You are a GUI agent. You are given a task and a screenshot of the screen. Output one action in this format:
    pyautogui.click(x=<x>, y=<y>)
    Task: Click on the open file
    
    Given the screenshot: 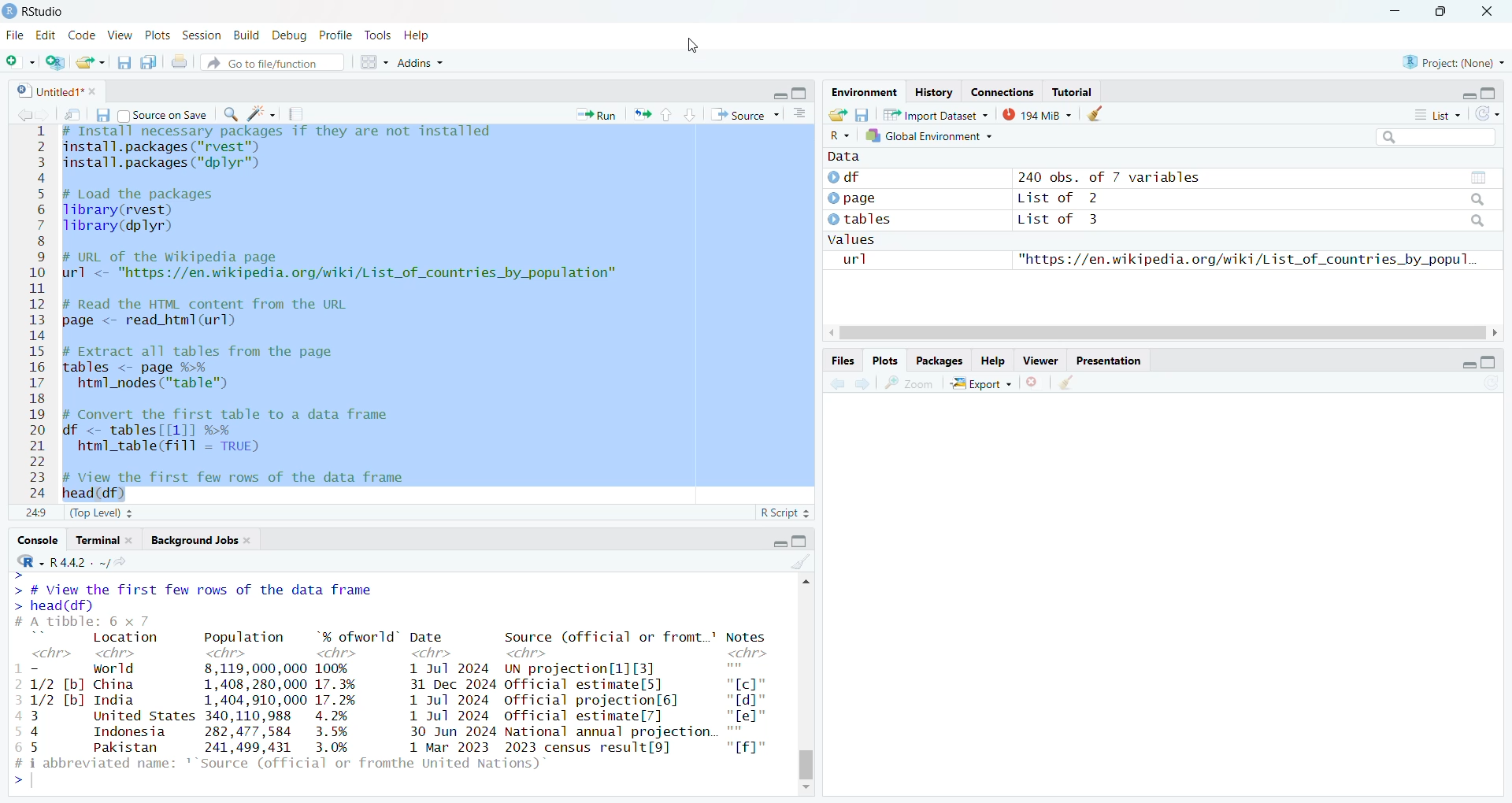 What is the action you would take?
    pyautogui.click(x=93, y=62)
    